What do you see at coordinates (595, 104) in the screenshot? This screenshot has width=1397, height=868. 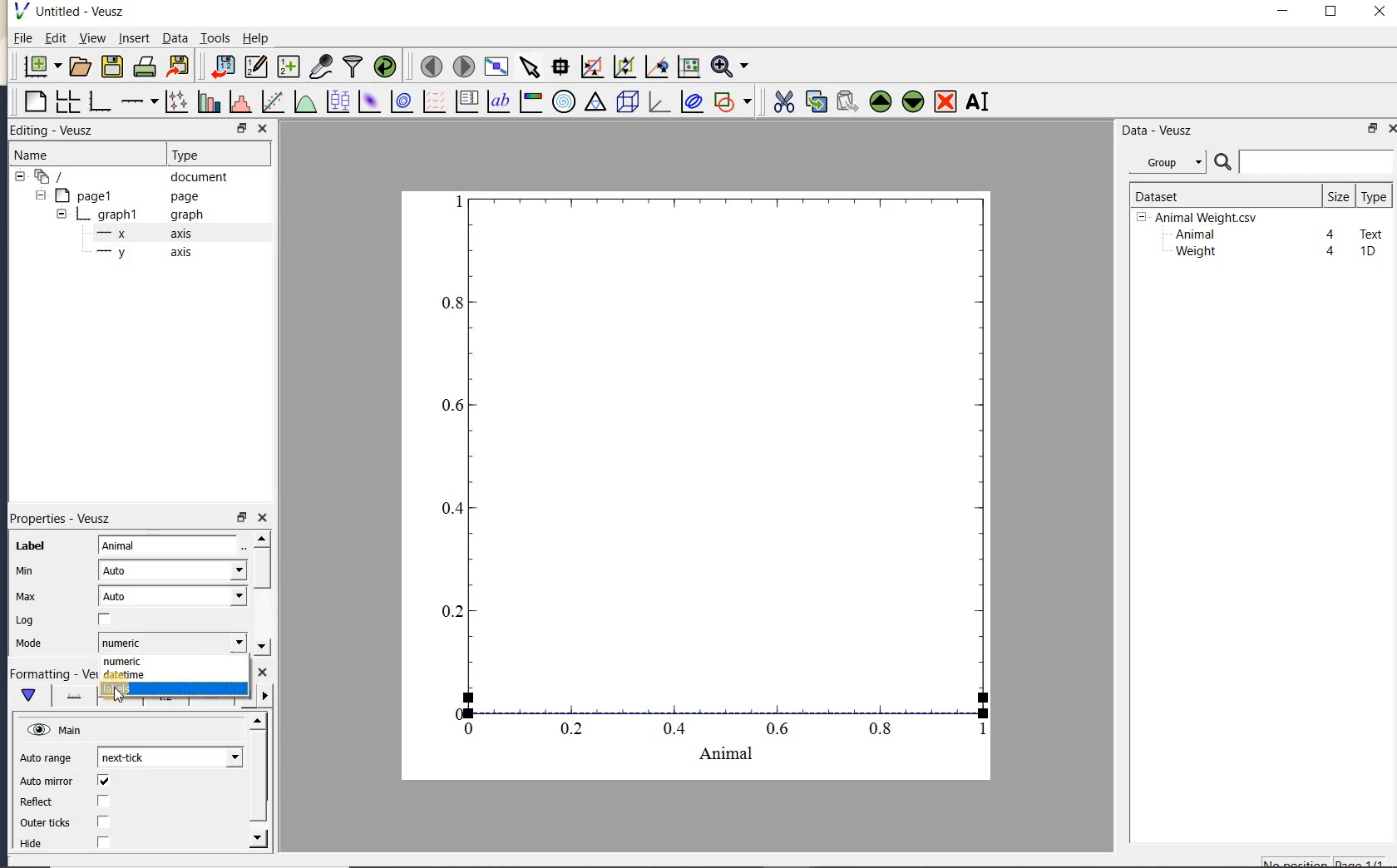 I see `ternary graph` at bounding box center [595, 104].